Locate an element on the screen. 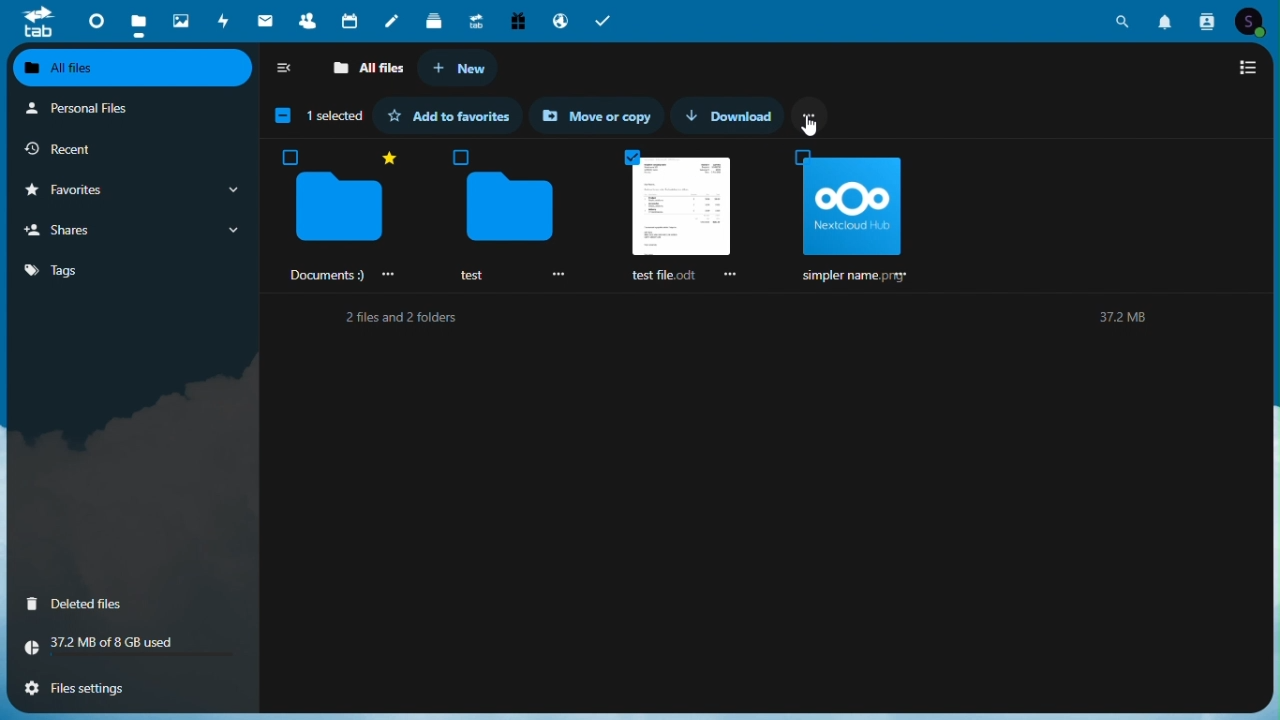 Image resolution: width=1280 pixels, height=720 pixels. Selected files is located at coordinates (686, 214).